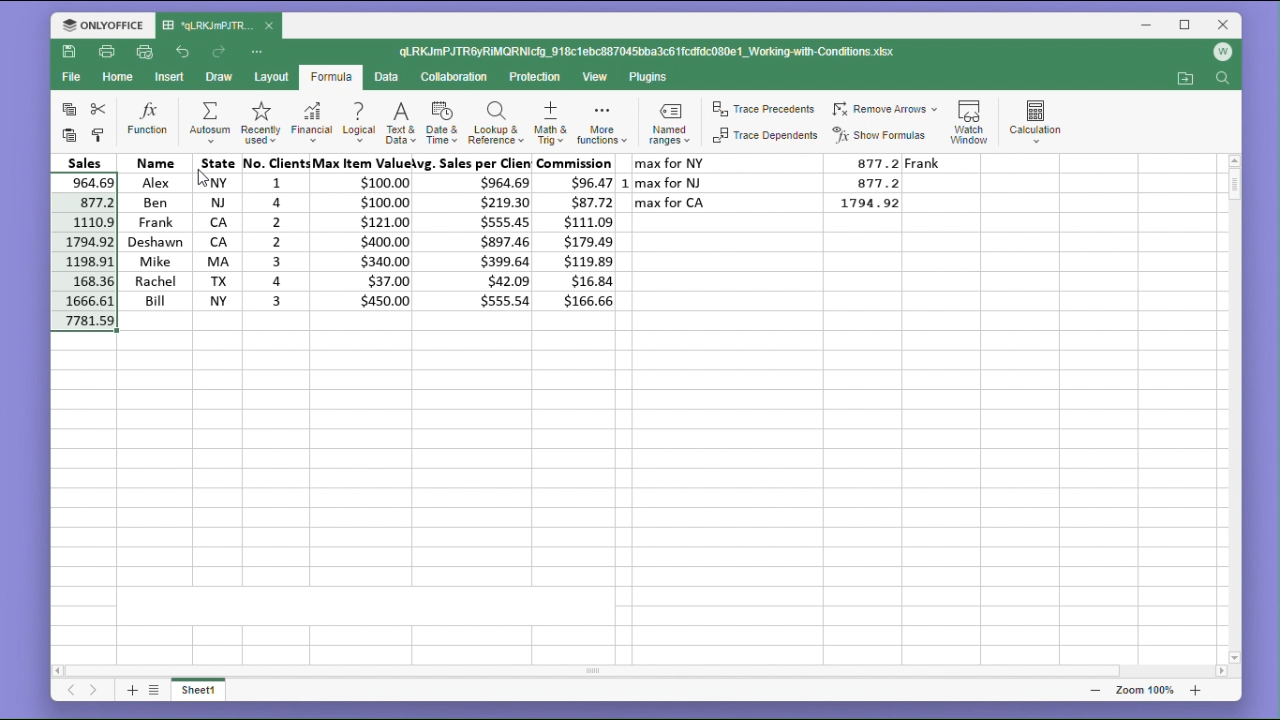 This screenshot has height=720, width=1280. Describe the element at coordinates (66, 136) in the screenshot. I see `paste` at that location.